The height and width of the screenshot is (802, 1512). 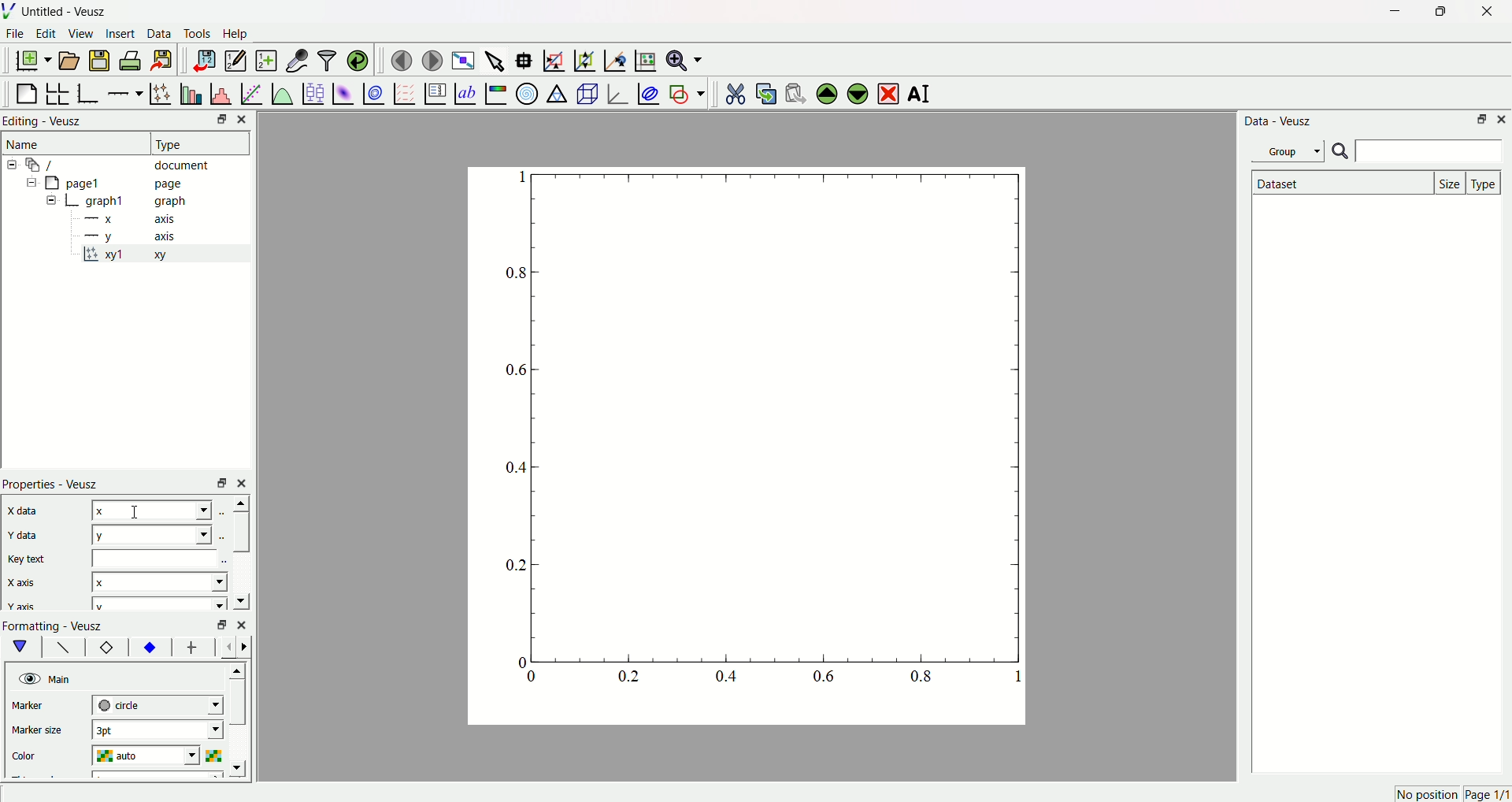 What do you see at coordinates (684, 60) in the screenshot?
I see `zoom functions` at bounding box center [684, 60].